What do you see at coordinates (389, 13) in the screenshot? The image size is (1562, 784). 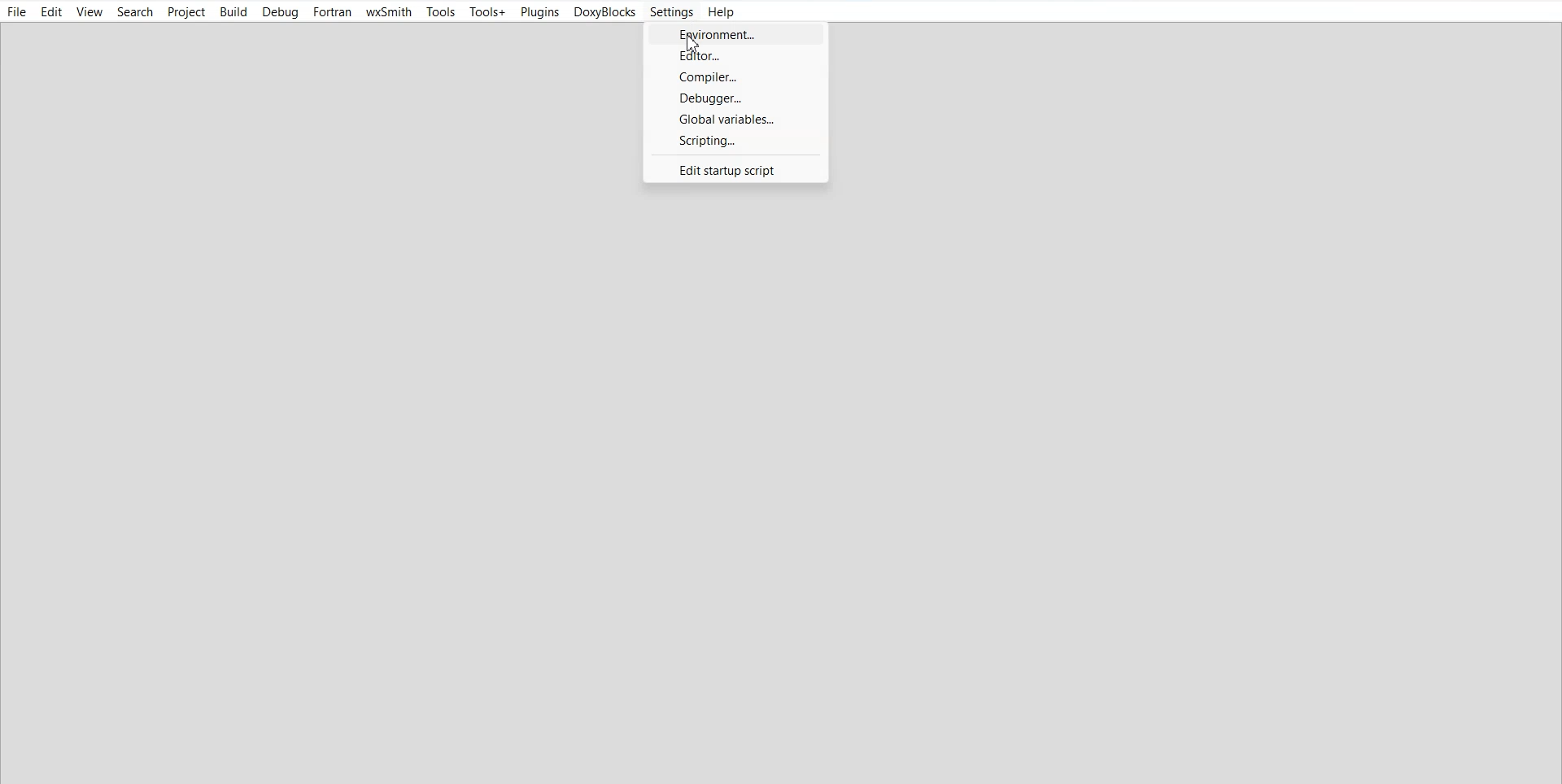 I see `wxSmith` at bounding box center [389, 13].